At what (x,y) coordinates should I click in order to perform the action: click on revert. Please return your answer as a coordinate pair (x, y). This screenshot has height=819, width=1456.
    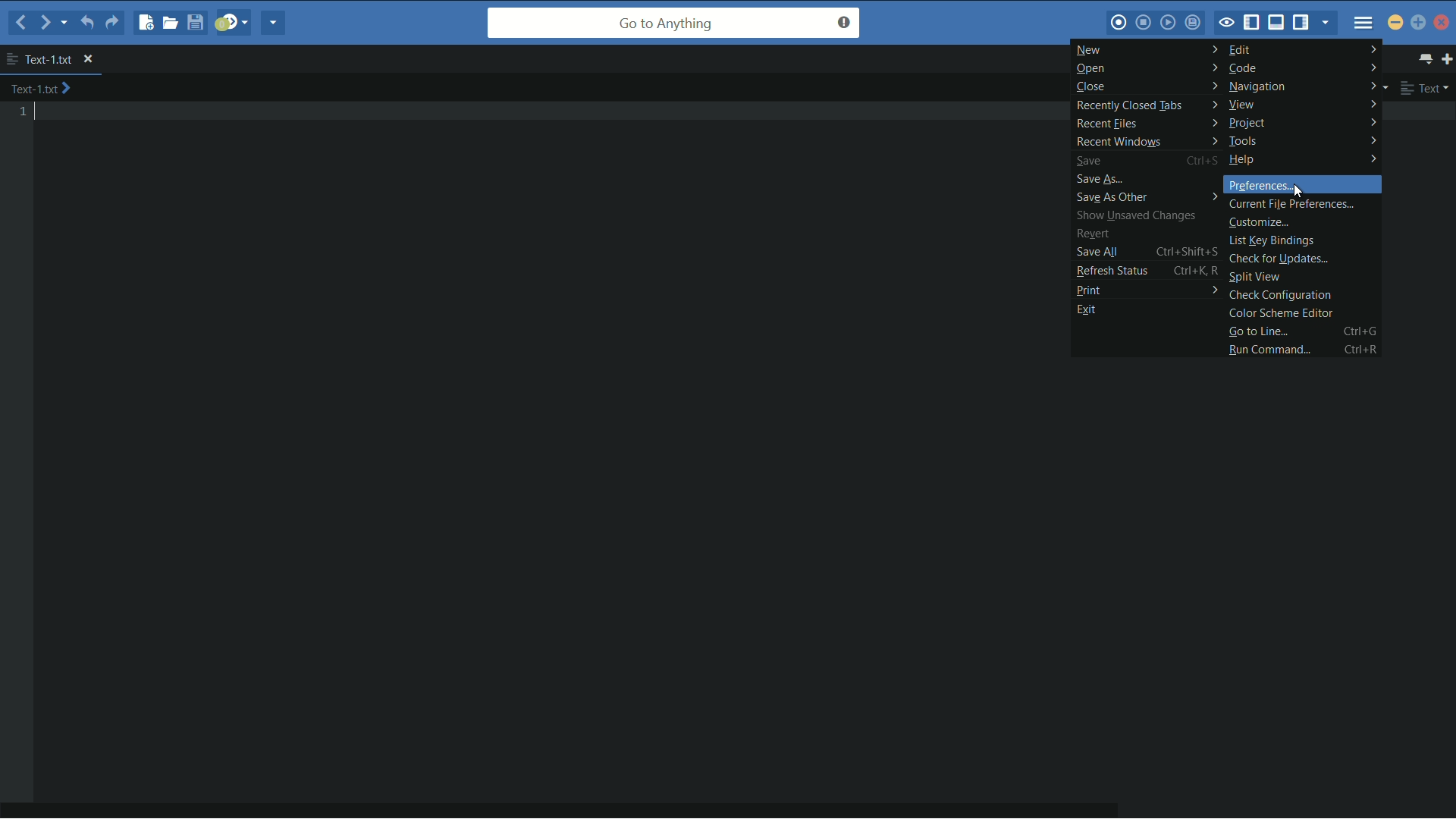
    Looking at the image, I should click on (1091, 234).